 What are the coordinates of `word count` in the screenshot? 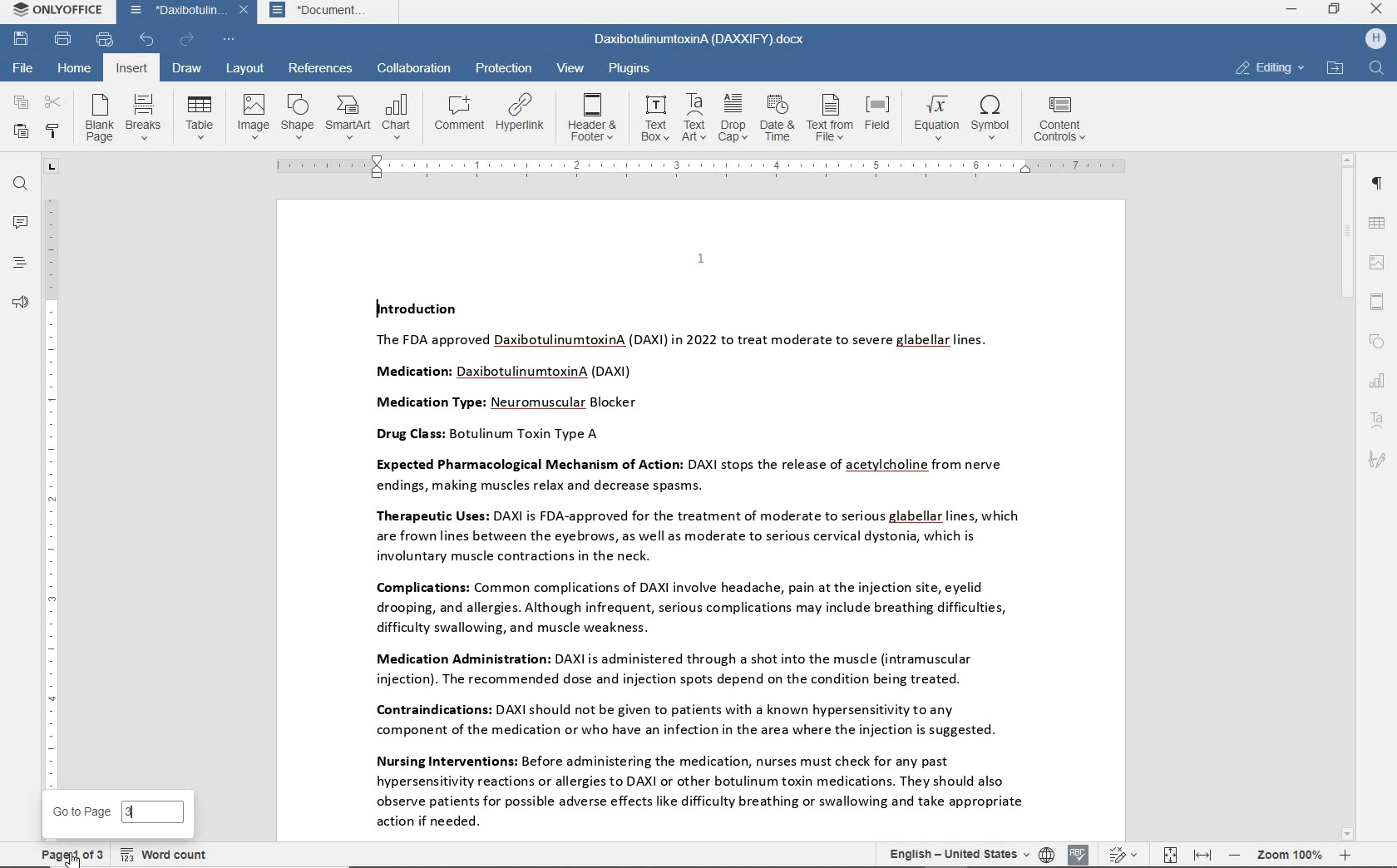 It's located at (165, 854).